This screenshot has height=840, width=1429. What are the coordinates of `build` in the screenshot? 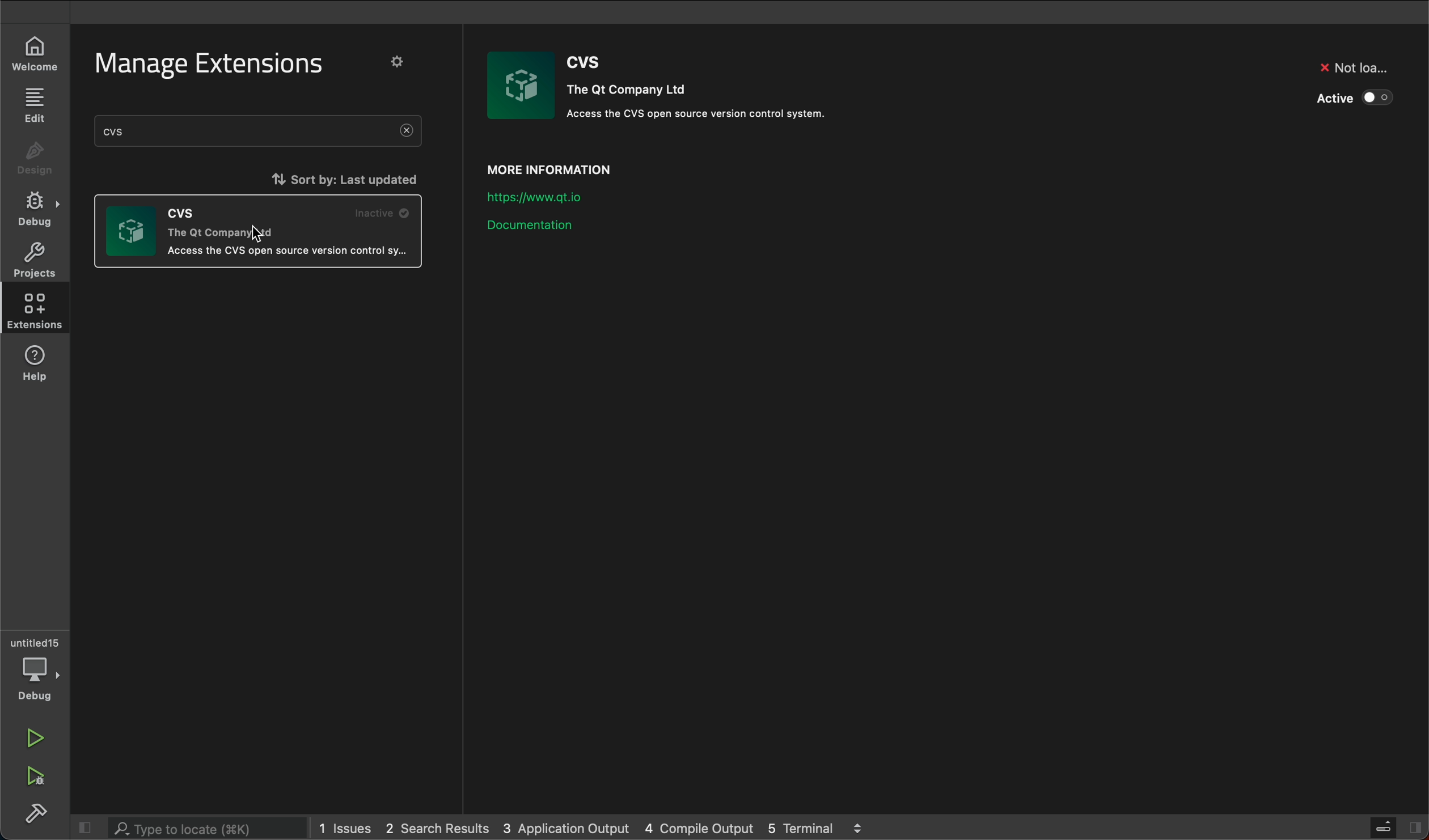 It's located at (35, 814).